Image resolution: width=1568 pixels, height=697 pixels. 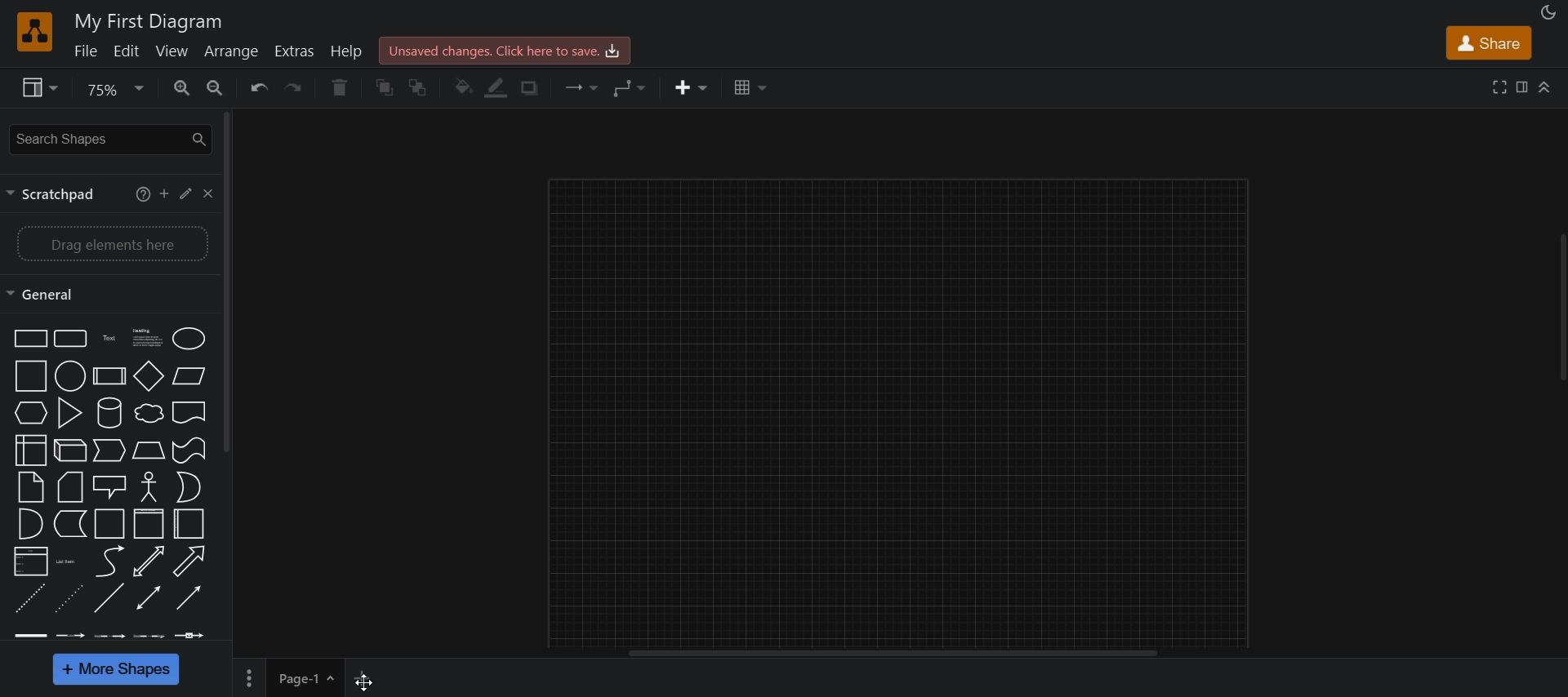 What do you see at coordinates (140, 196) in the screenshot?
I see `help` at bounding box center [140, 196].